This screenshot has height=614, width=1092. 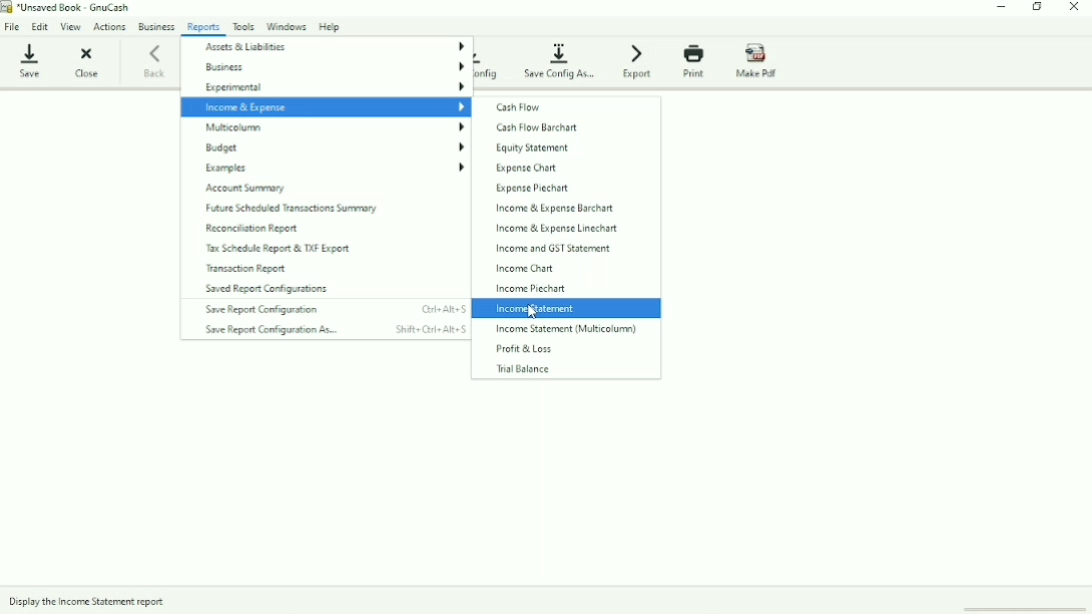 What do you see at coordinates (29, 58) in the screenshot?
I see `Save` at bounding box center [29, 58].